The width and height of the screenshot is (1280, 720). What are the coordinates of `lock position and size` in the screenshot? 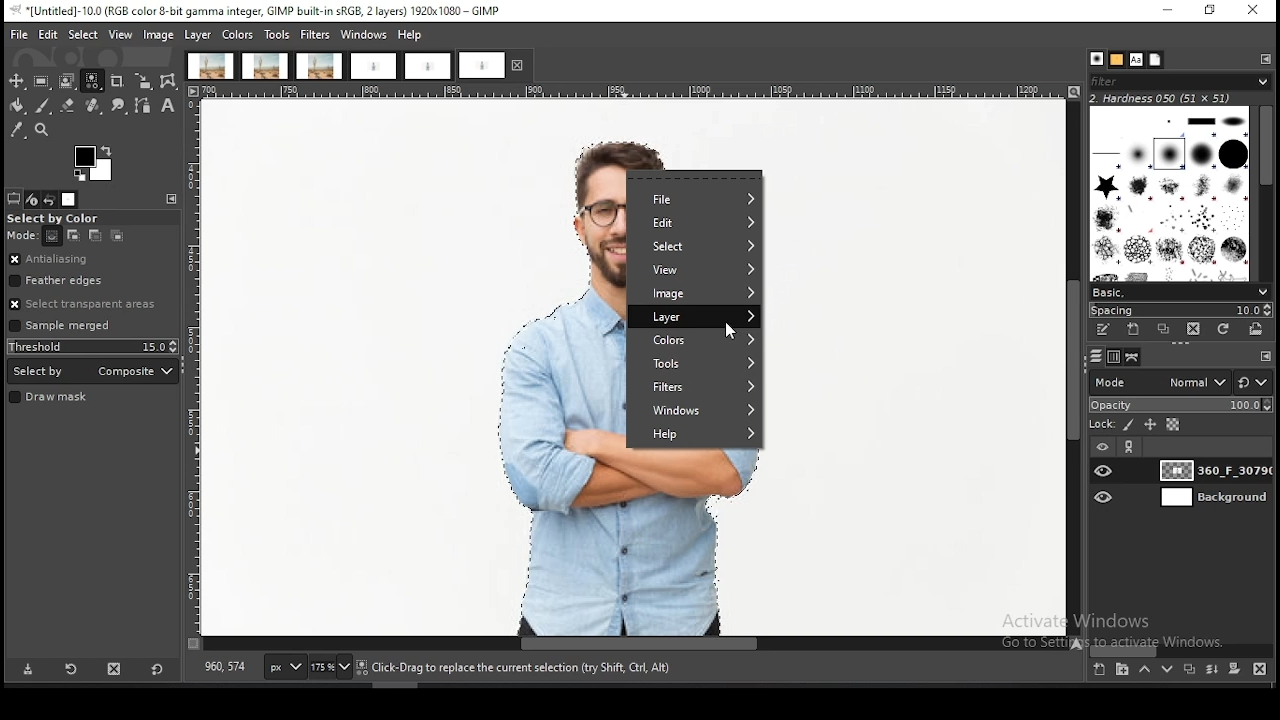 It's located at (1149, 426).